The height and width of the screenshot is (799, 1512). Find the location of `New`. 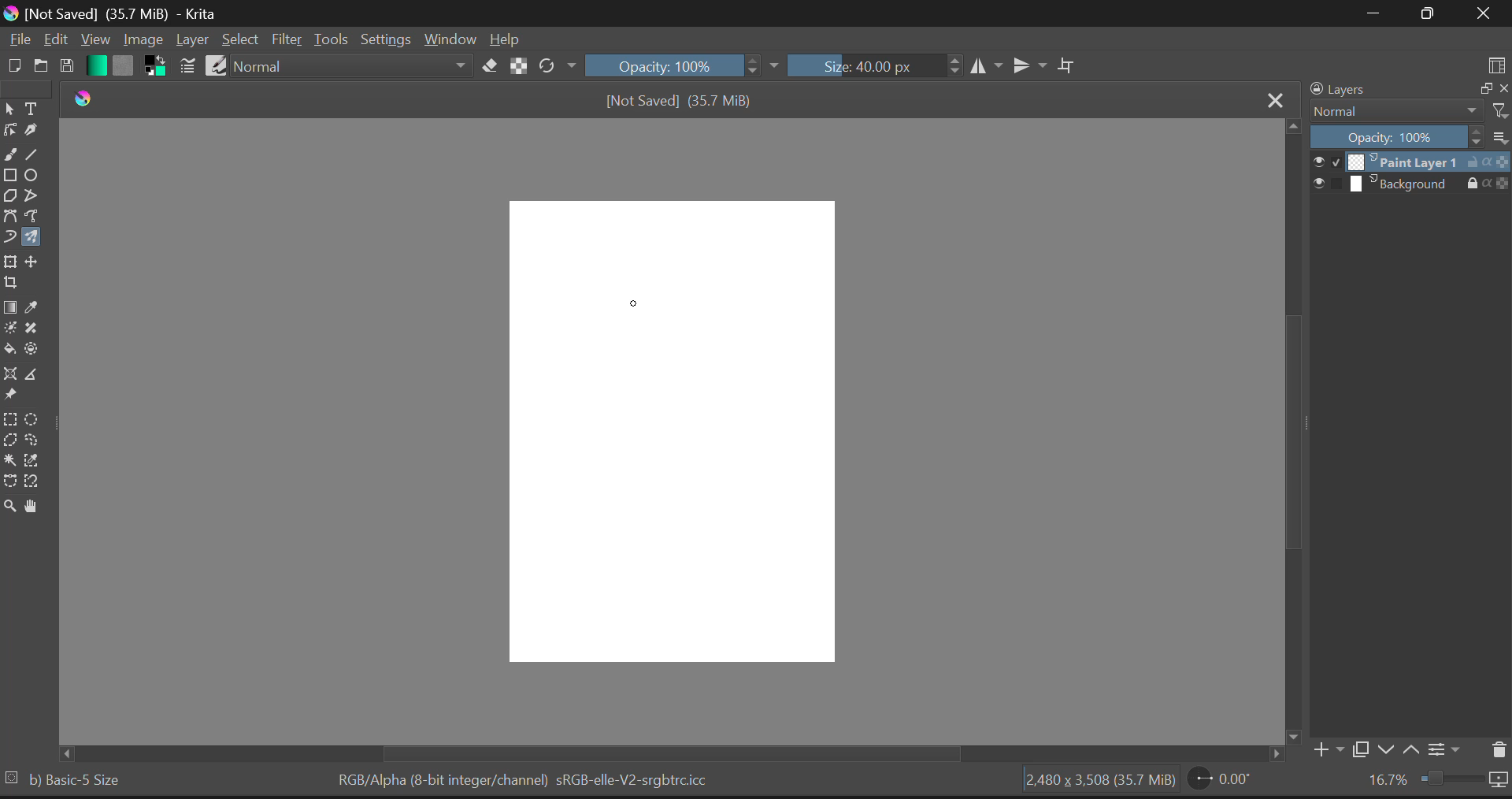

New is located at coordinates (13, 67).